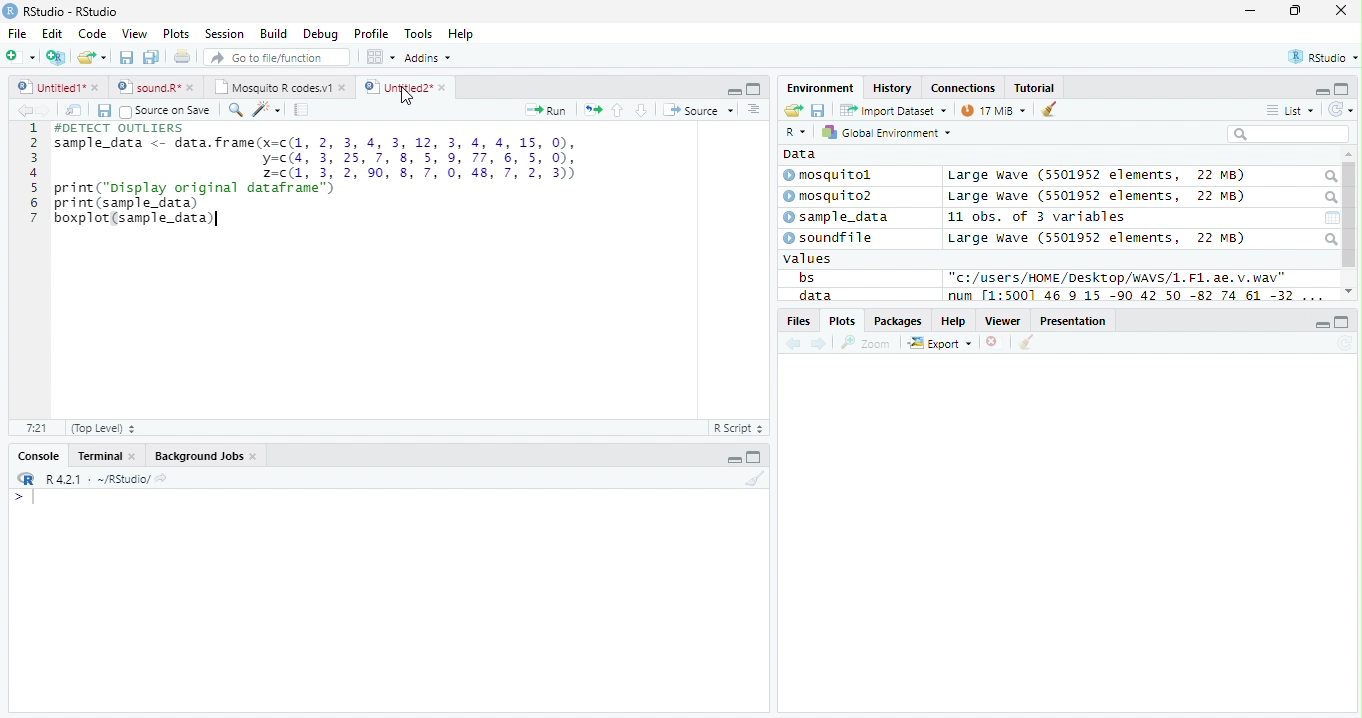 This screenshot has width=1362, height=718. Describe the element at coordinates (1322, 323) in the screenshot. I see `minimize` at that location.